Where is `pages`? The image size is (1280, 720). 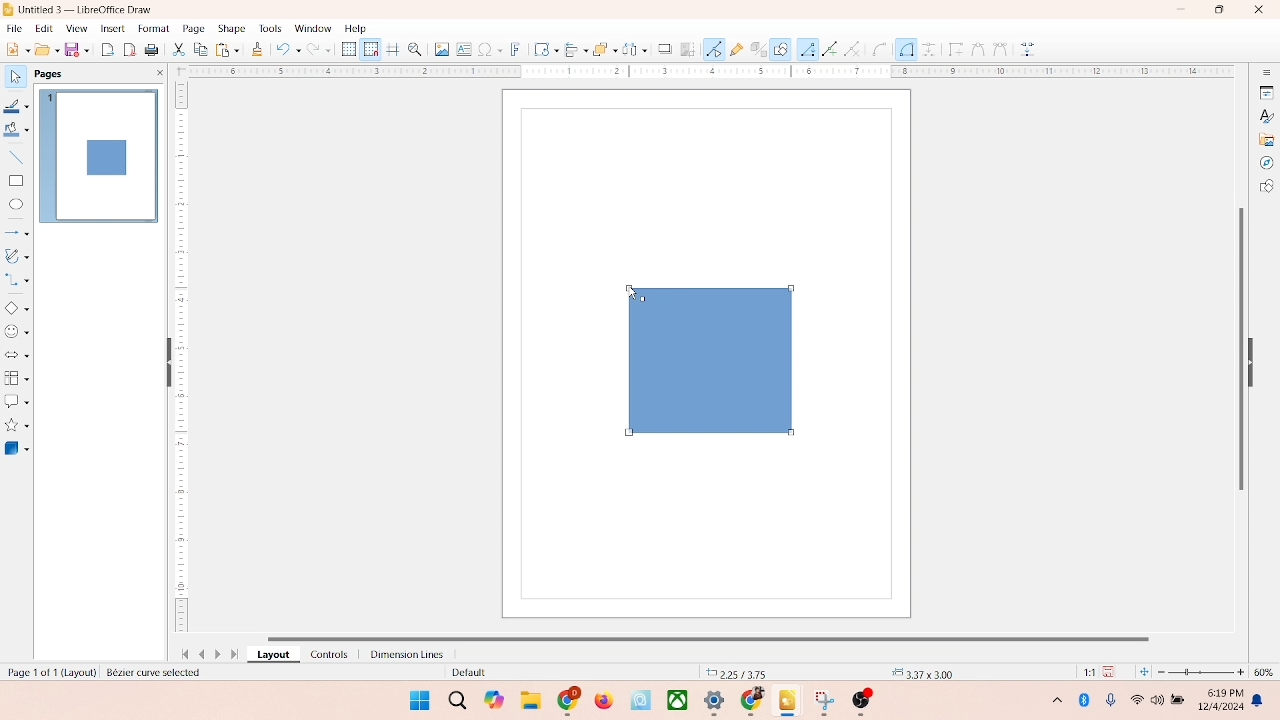
pages is located at coordinates (47, 72).